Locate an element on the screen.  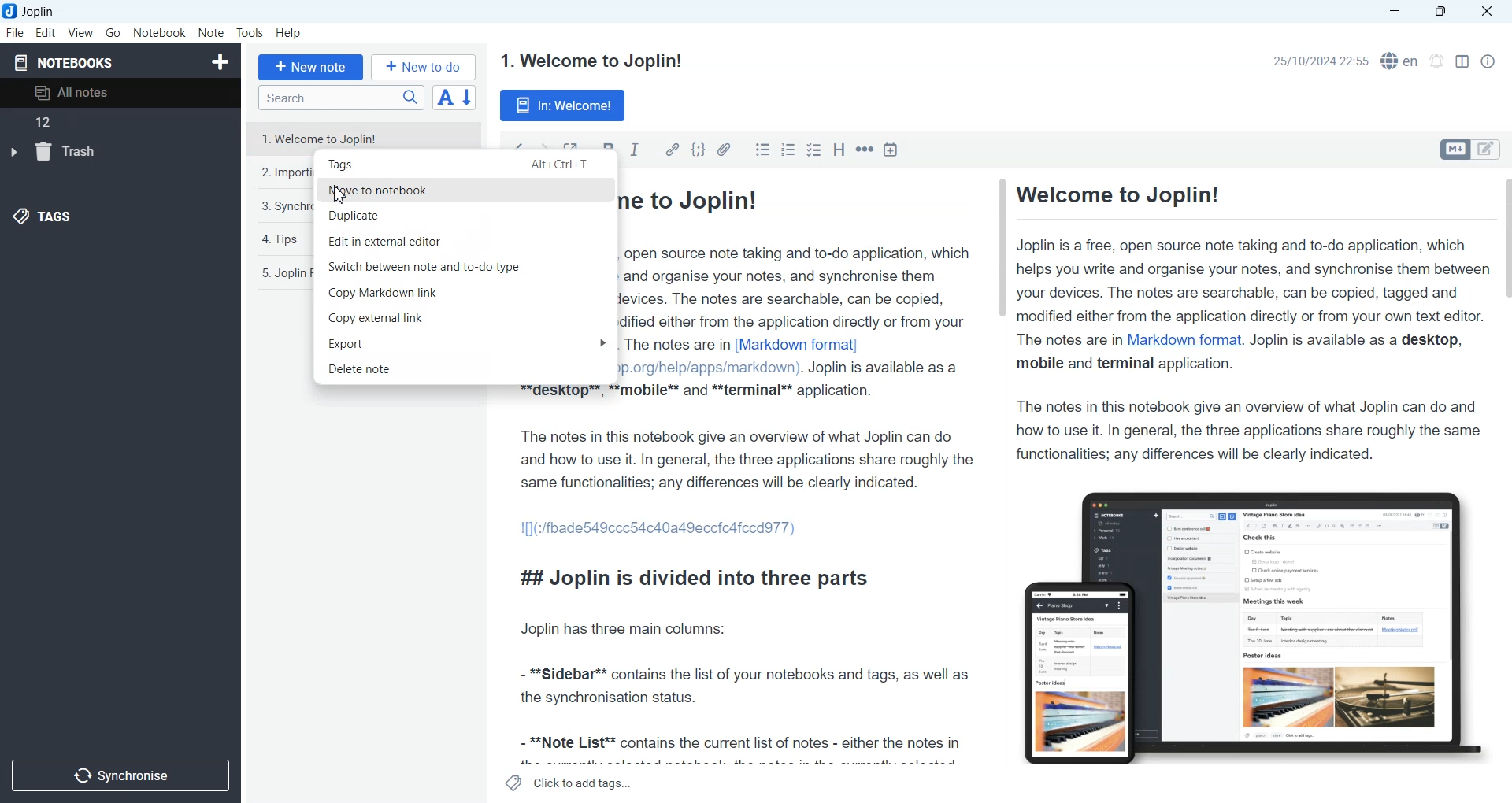
Toggle editor layout is located at coordinates (1462, 61).